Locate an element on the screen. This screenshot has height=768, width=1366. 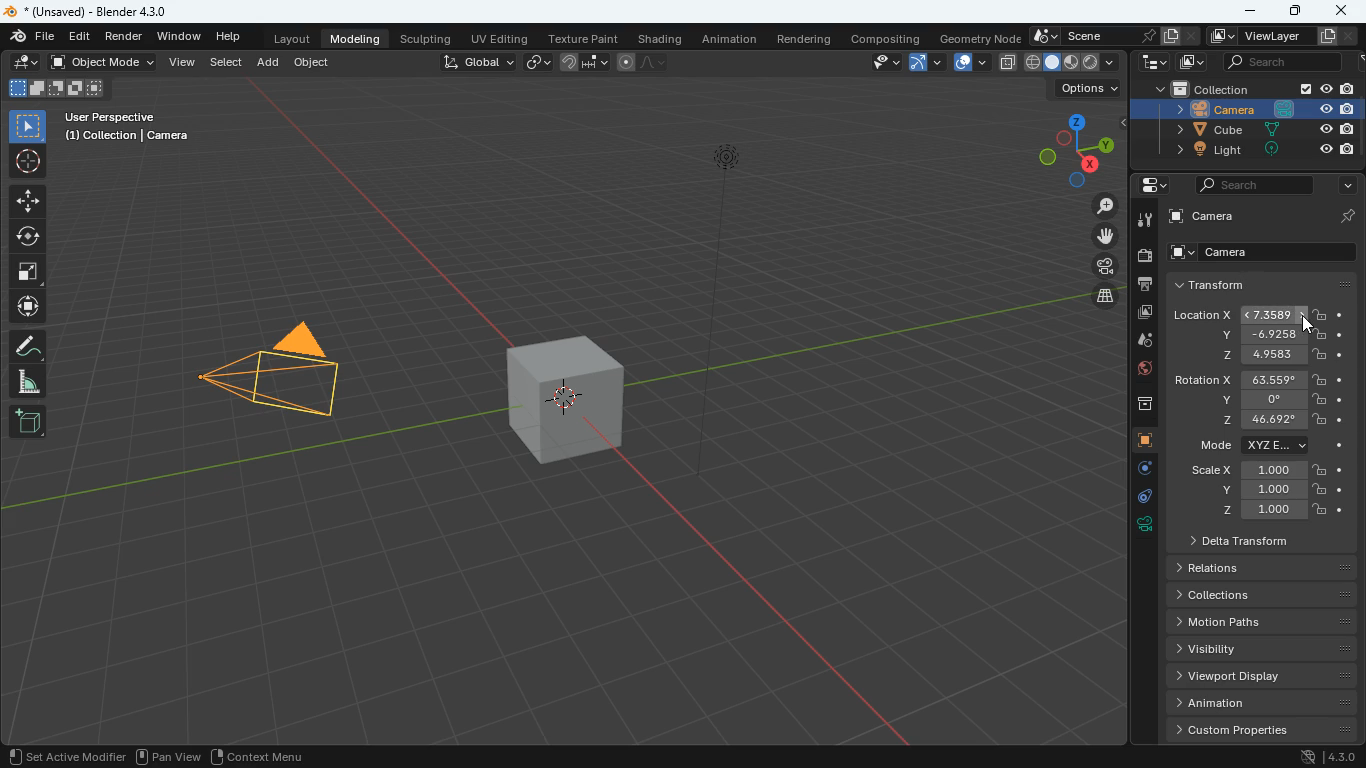
full screen is located at coordinates (30, 273).